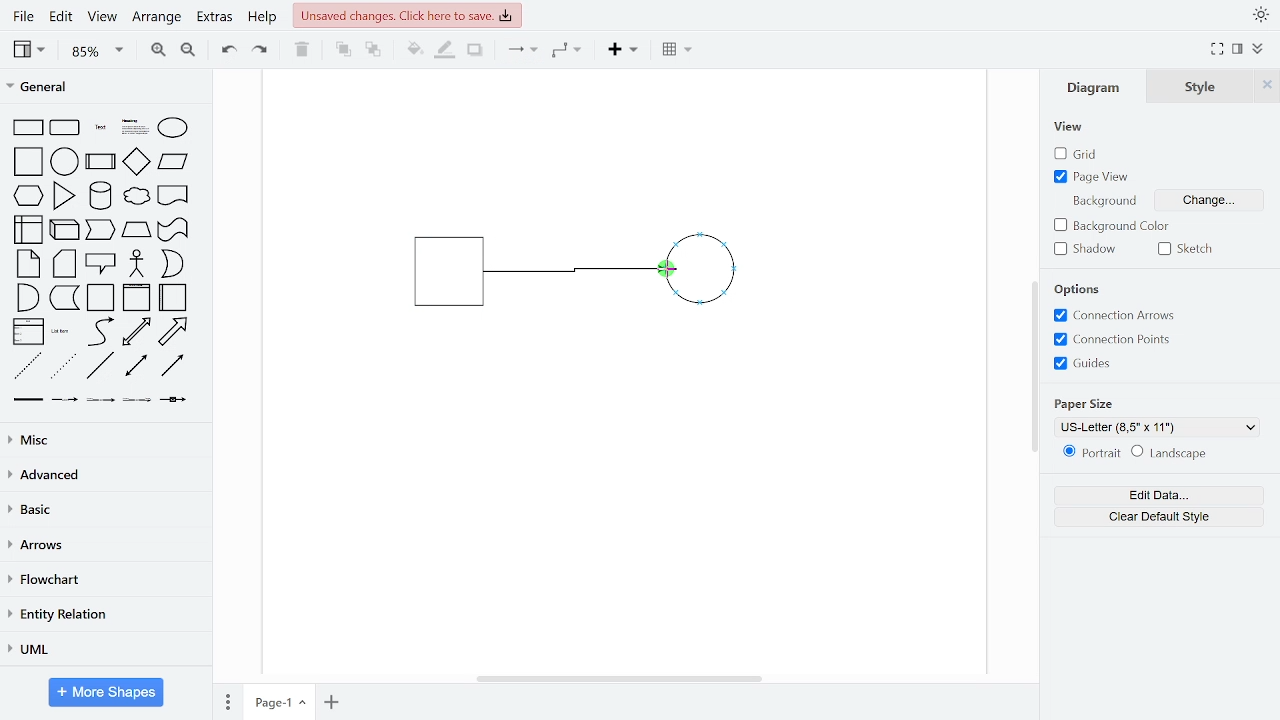 The width and height of the screenshot is (1280, 720). What do you see at coordinates (1112, 339) in the screenshot?
I see `connection points` at bounding box center [1112, 339].